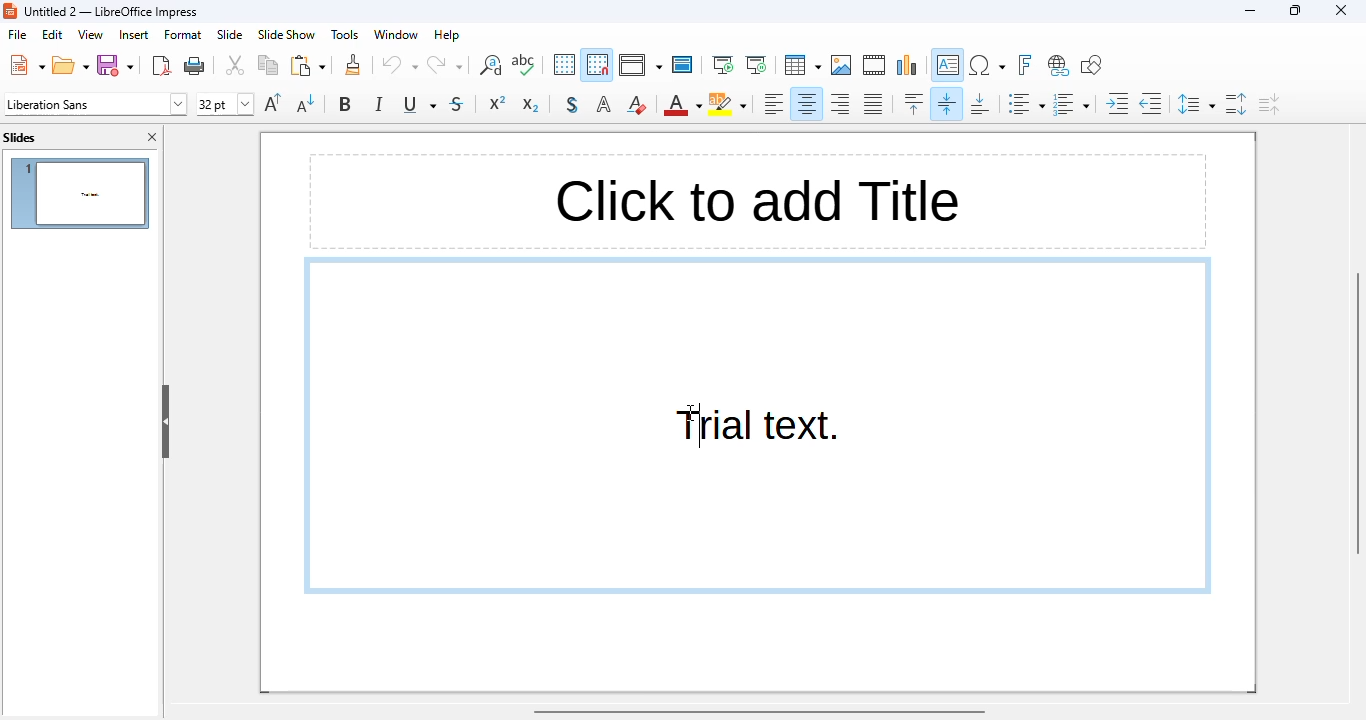  What do you see at coordinates (1340, 10) in the screenshot?
I see `close` at bounding box center [1340, 10].